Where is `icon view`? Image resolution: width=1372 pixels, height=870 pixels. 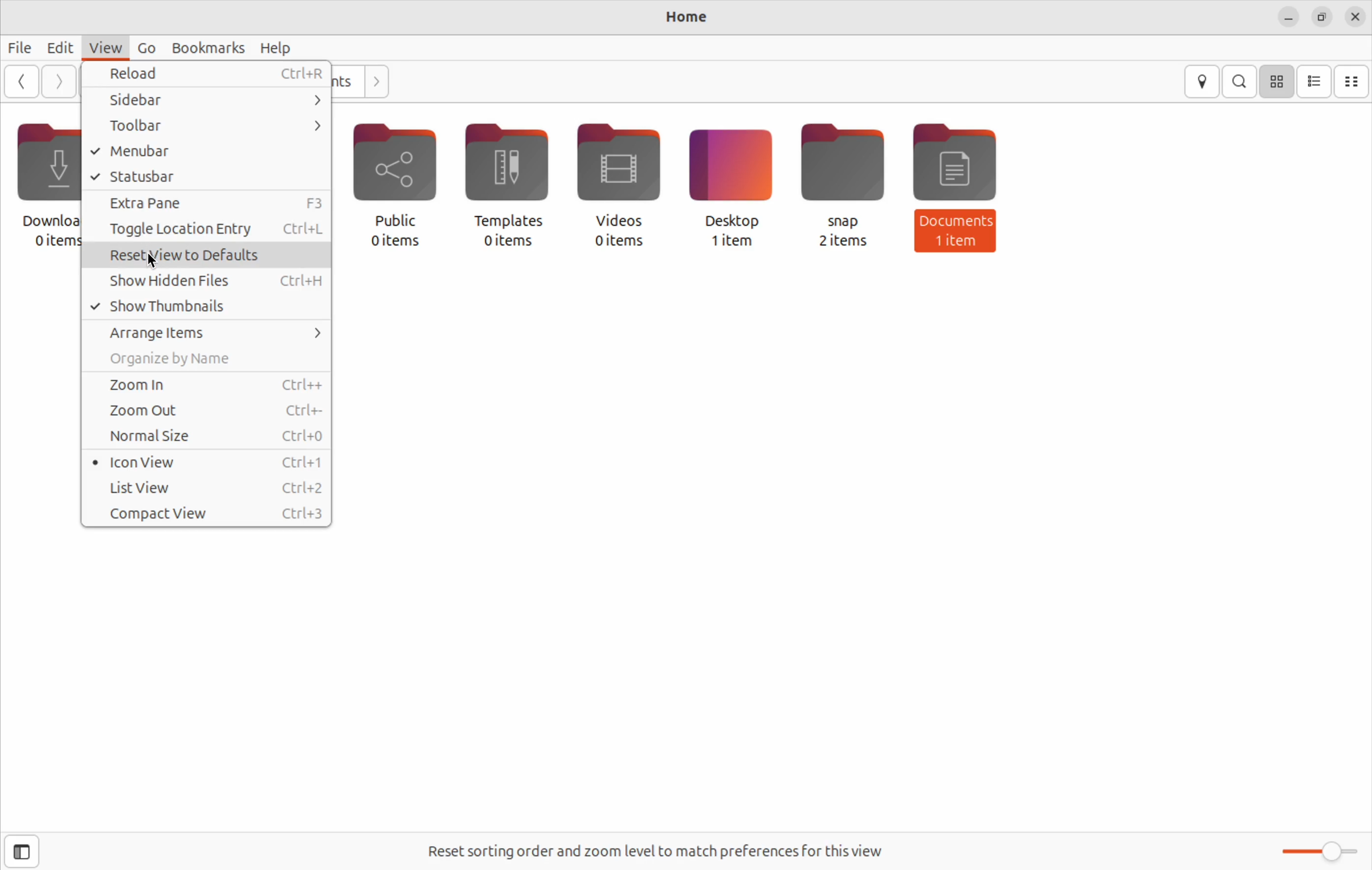 icon view is located at coordinates (1279, 80).